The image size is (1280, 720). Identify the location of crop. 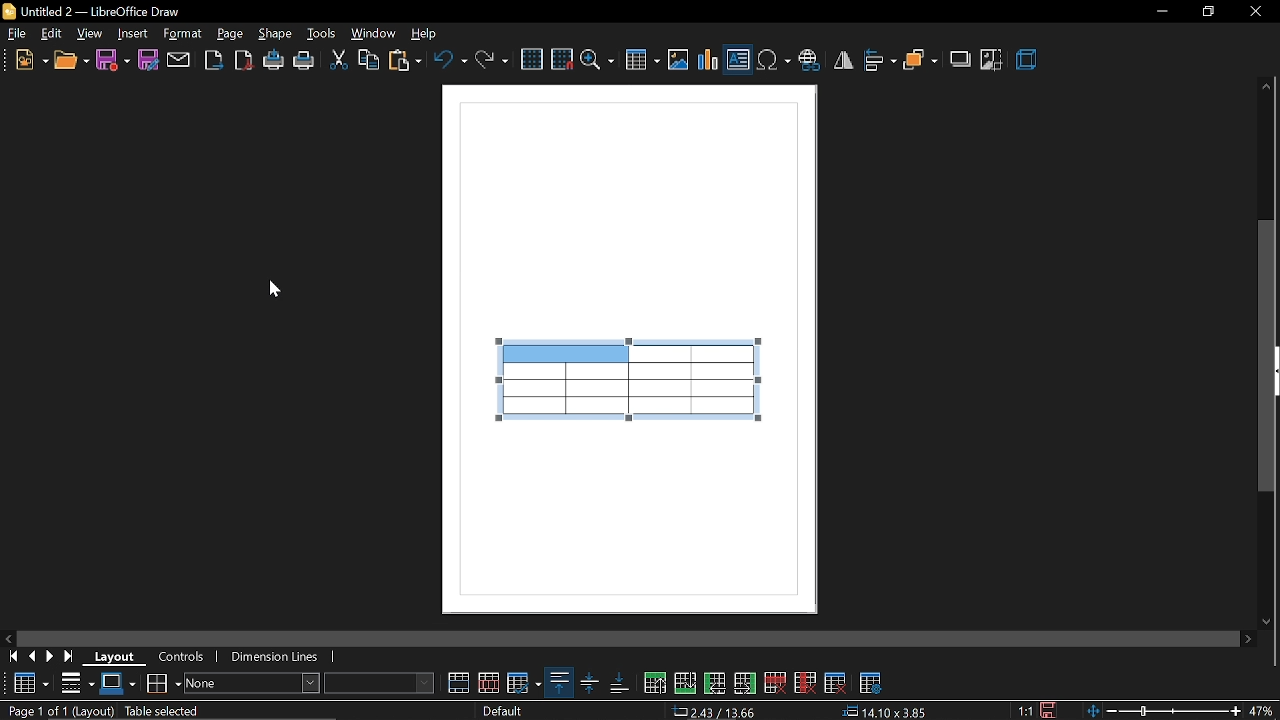
(991, 61).